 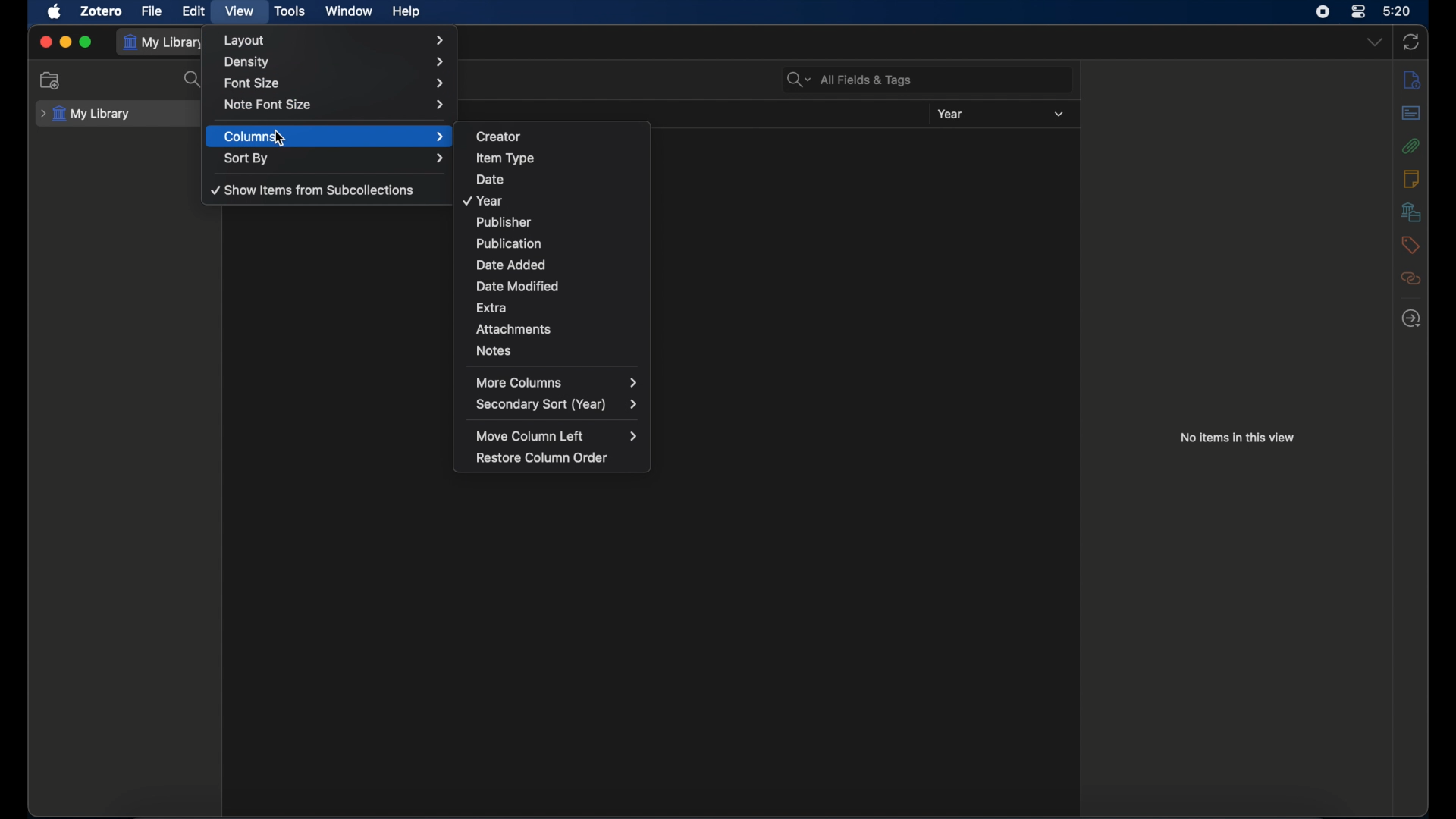 I want to click on related, so click(x=1411, y=278).